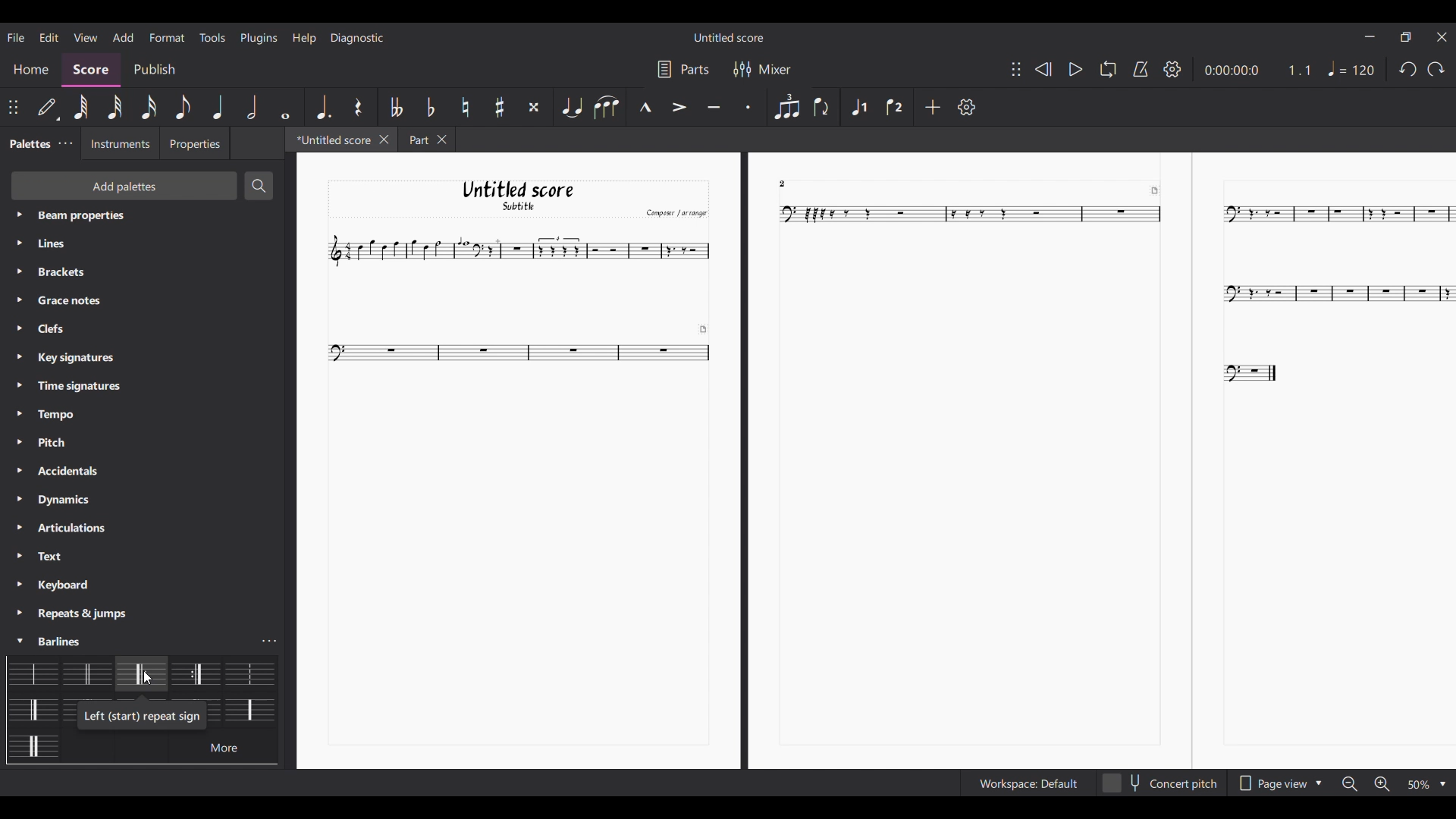 This screenshot has width=1456, height=819. What do you see at coordinates (32, 746) in the screenshot?
I see `Barline options` at bounding box center [32, 746].